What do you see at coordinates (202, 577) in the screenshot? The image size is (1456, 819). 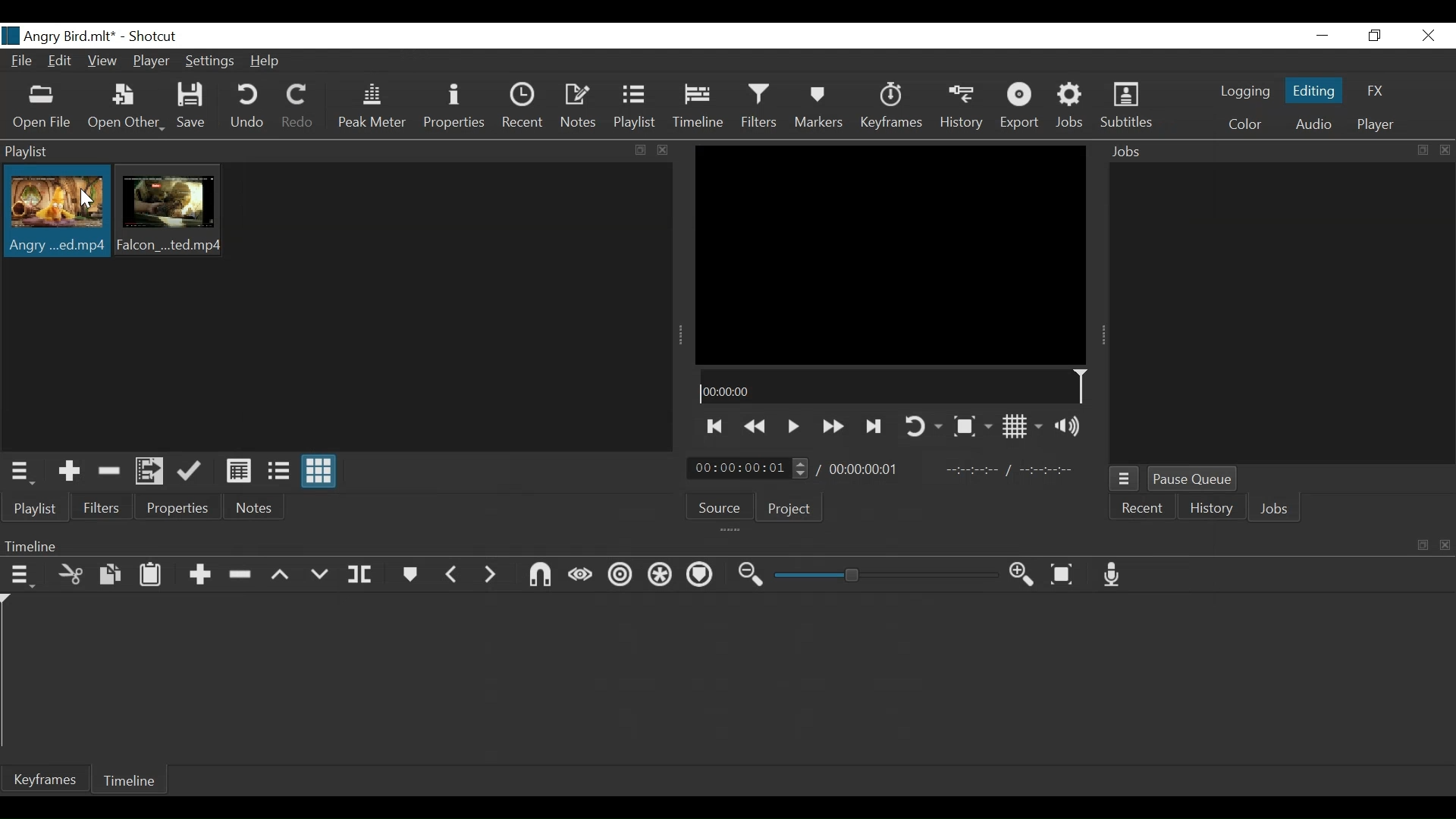 I see `Append` at bounding box center [202, 577].